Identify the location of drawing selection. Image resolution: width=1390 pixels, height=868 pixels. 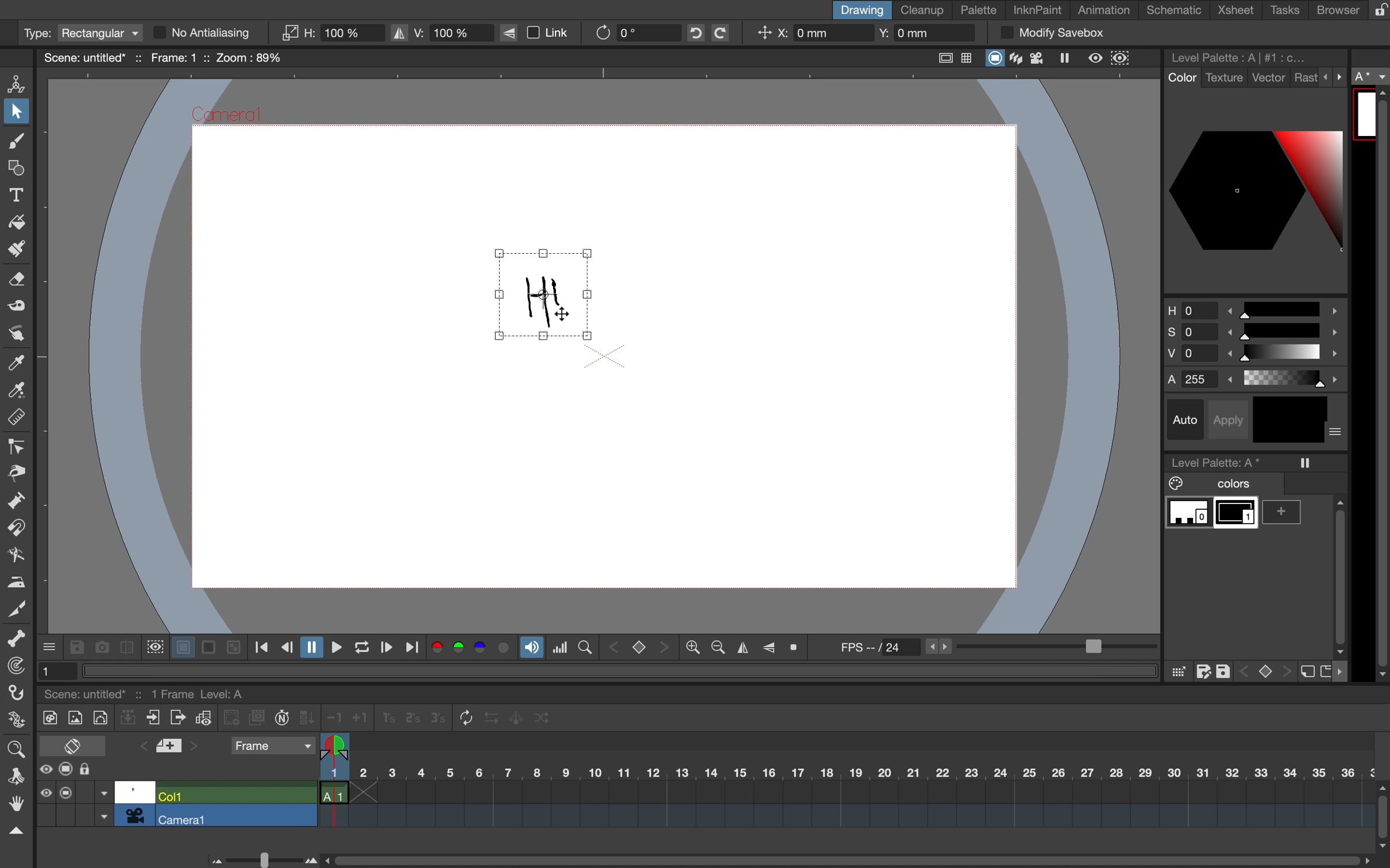
(540, 293).